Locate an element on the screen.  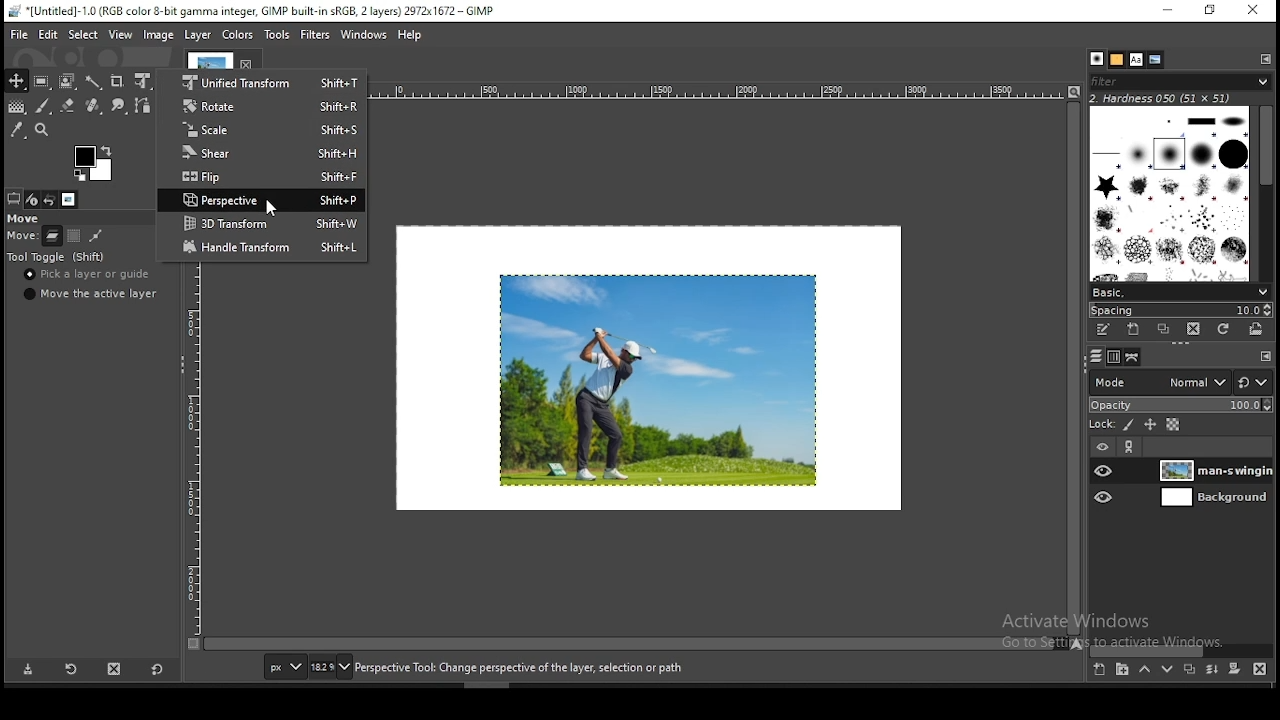
move the active layer is located at coordinates (93, 295).